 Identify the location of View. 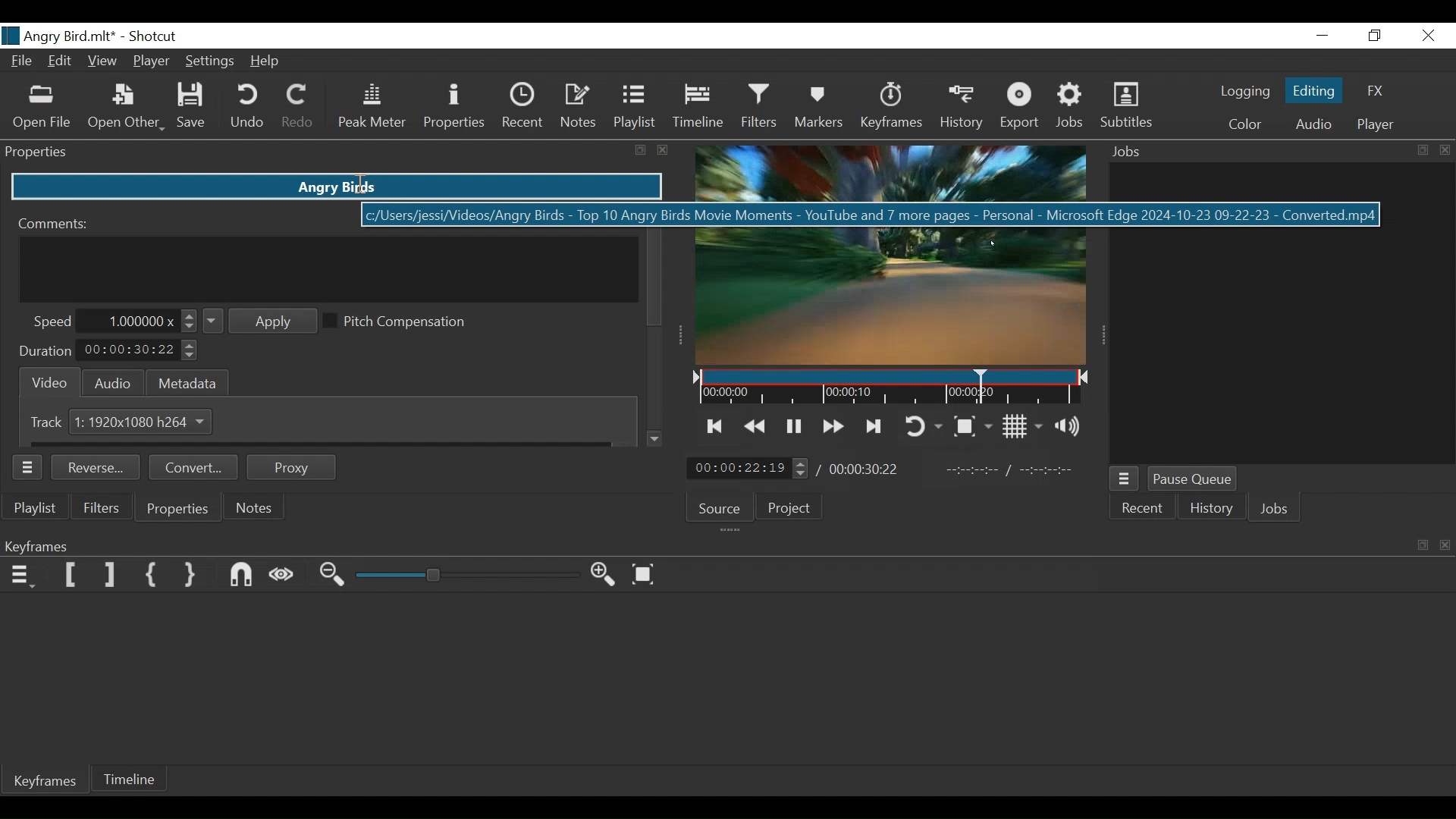
(104, 61).